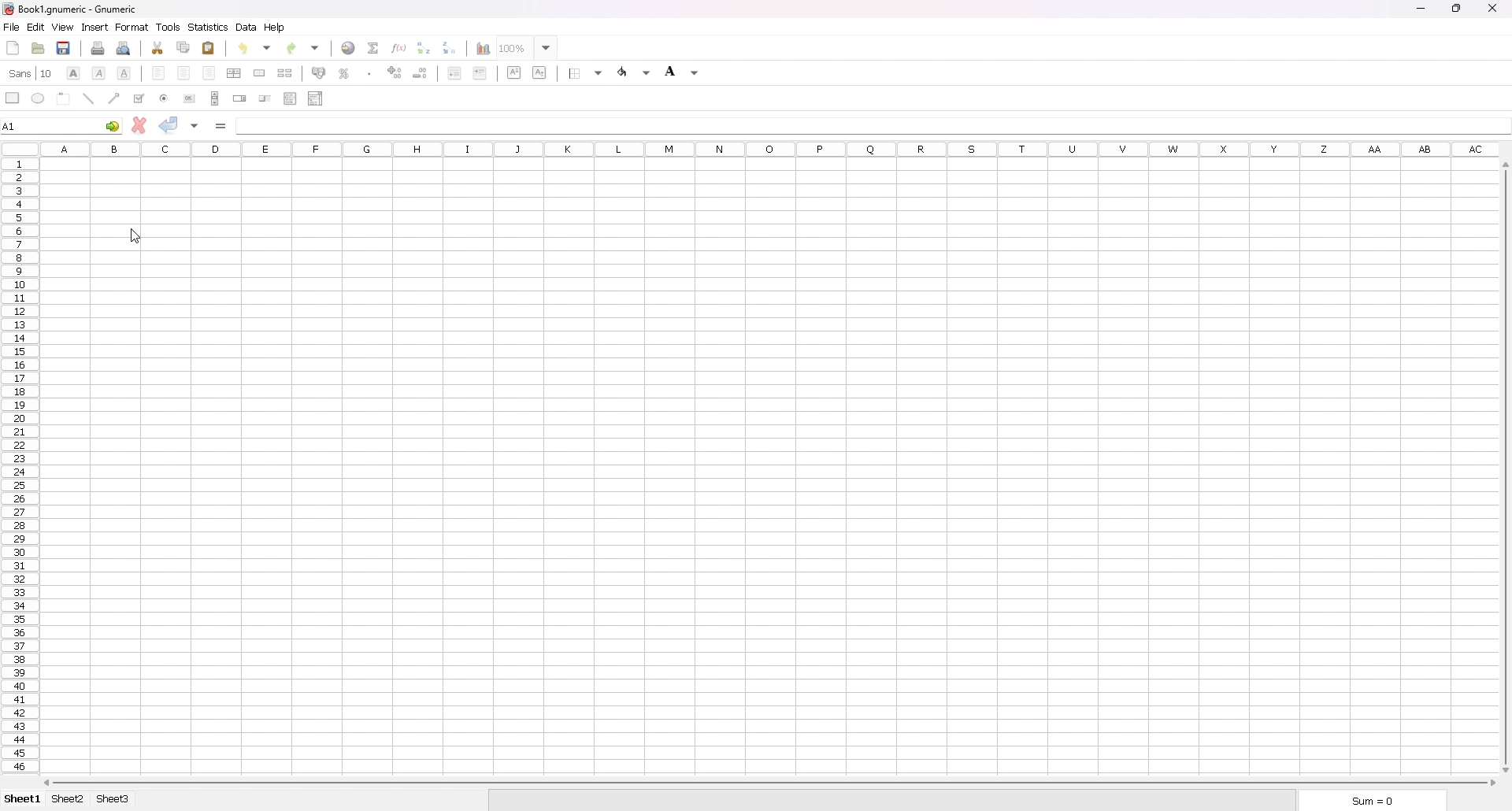 This screenshot has width=1512, height=811. Describe the element at coordinates (13, 98) in the screenshot. I see `rectangle` at that location.